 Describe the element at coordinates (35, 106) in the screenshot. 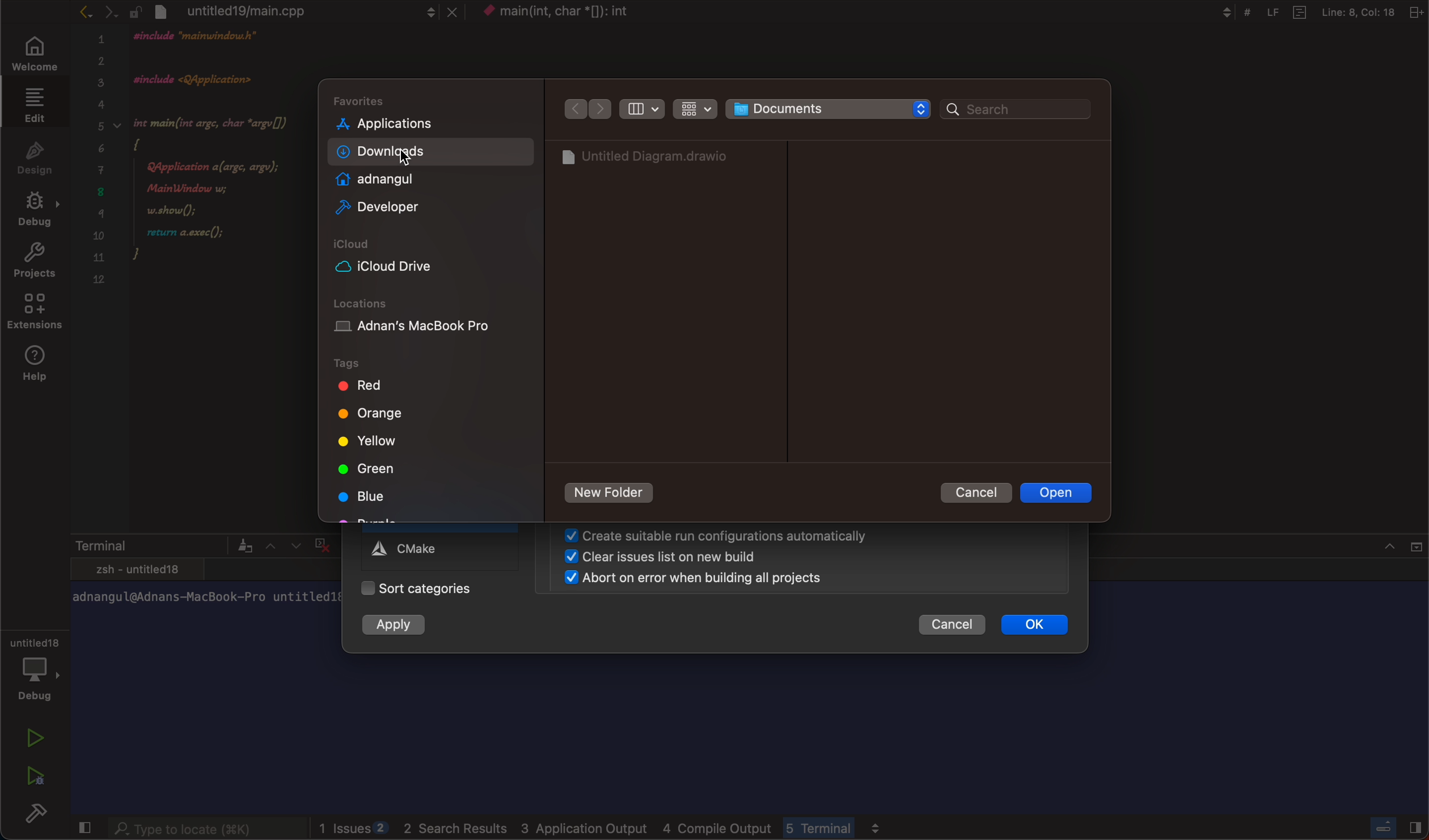

I see `edit` at that location.